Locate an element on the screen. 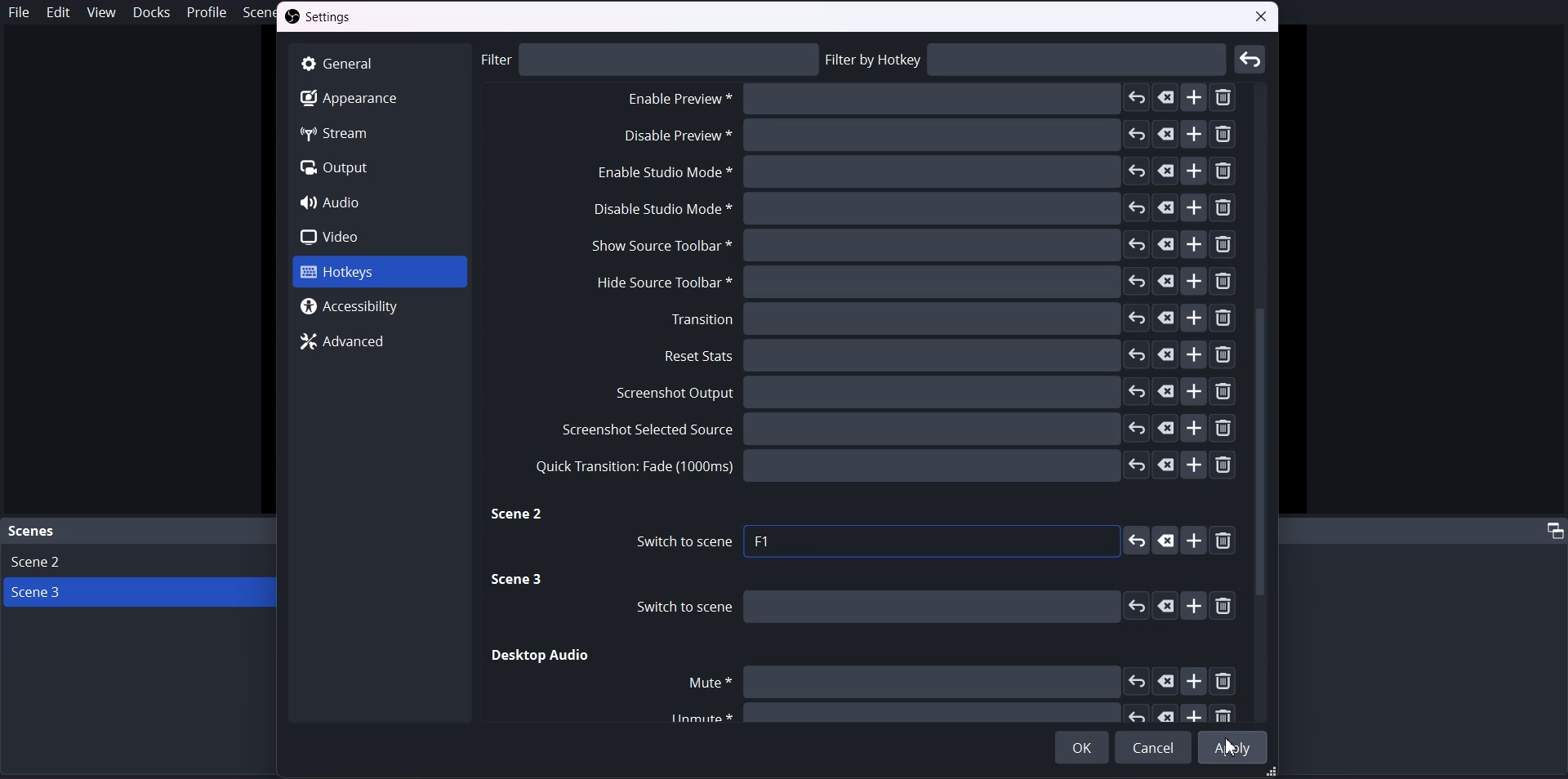 The image size is (1568, 779). Disable Preview is located at coordinates (924, 101).